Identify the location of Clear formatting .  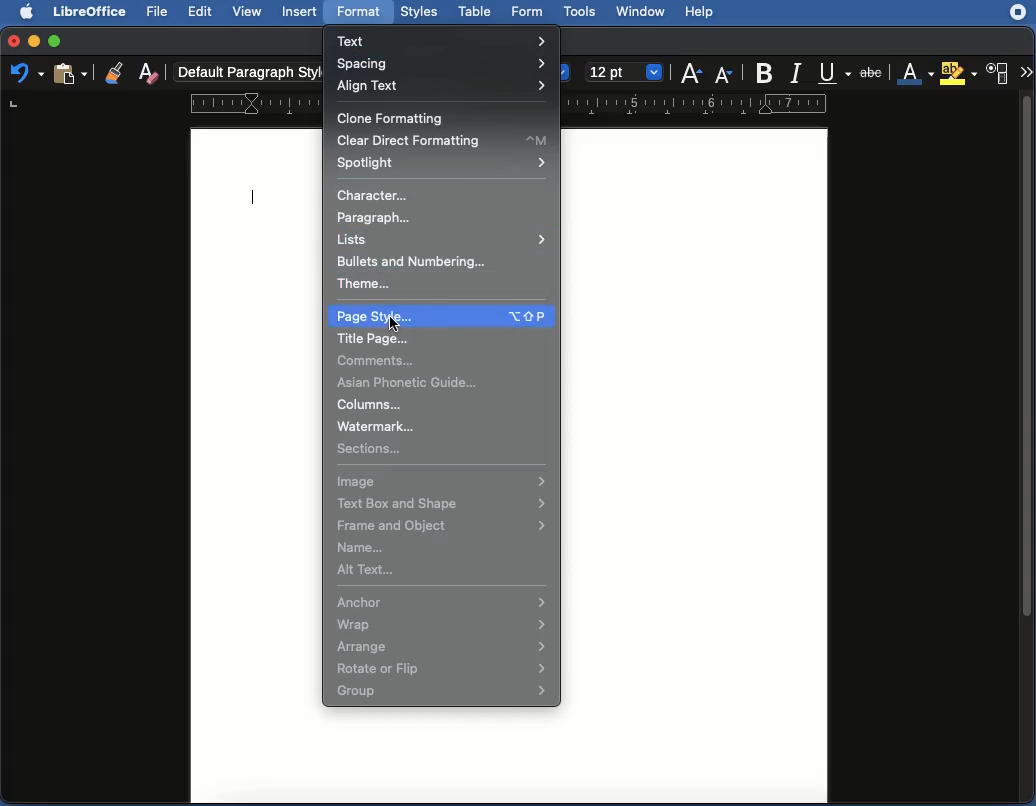
(148, 75).